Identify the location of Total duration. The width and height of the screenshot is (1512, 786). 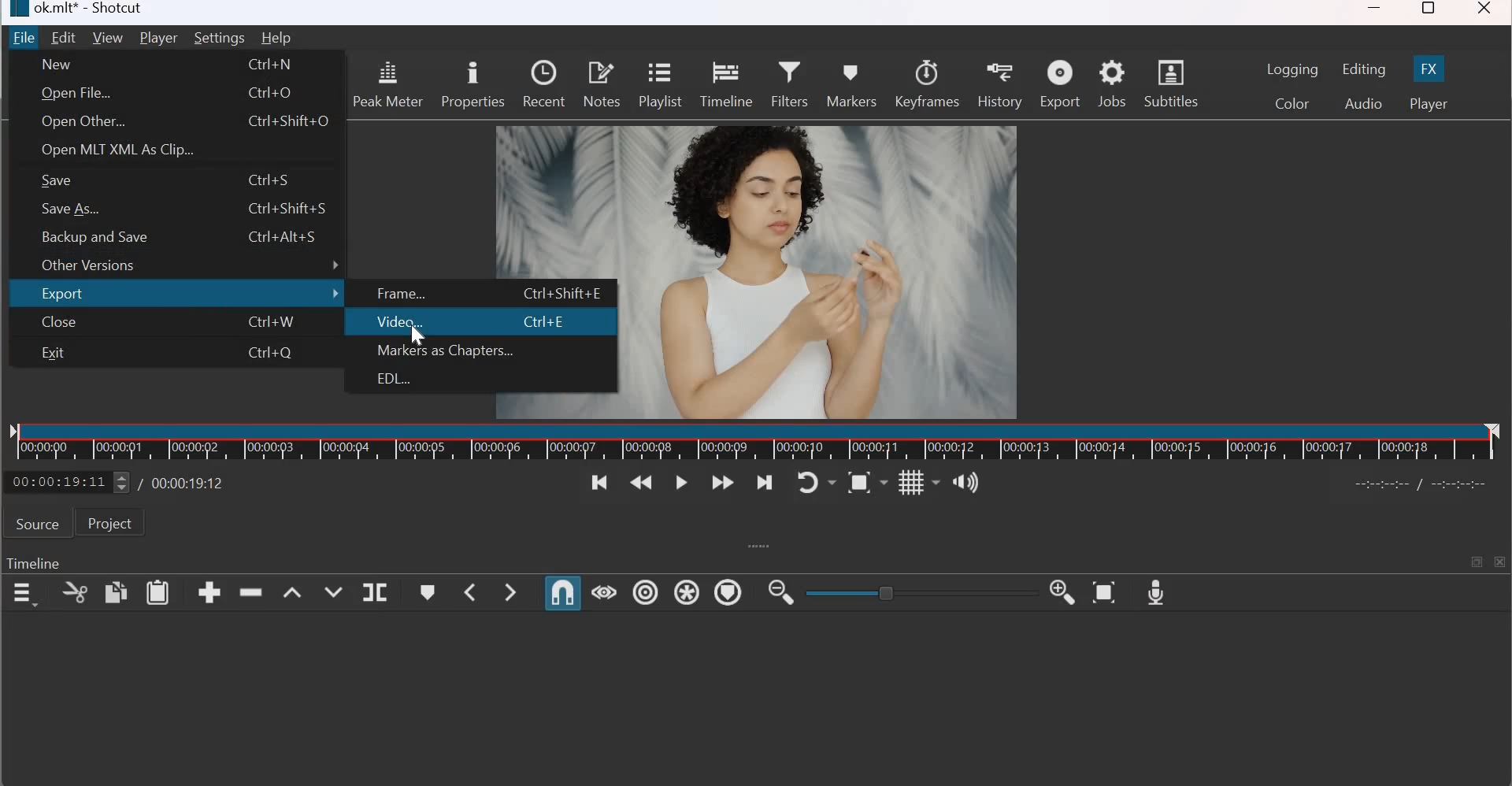
(183, 483).